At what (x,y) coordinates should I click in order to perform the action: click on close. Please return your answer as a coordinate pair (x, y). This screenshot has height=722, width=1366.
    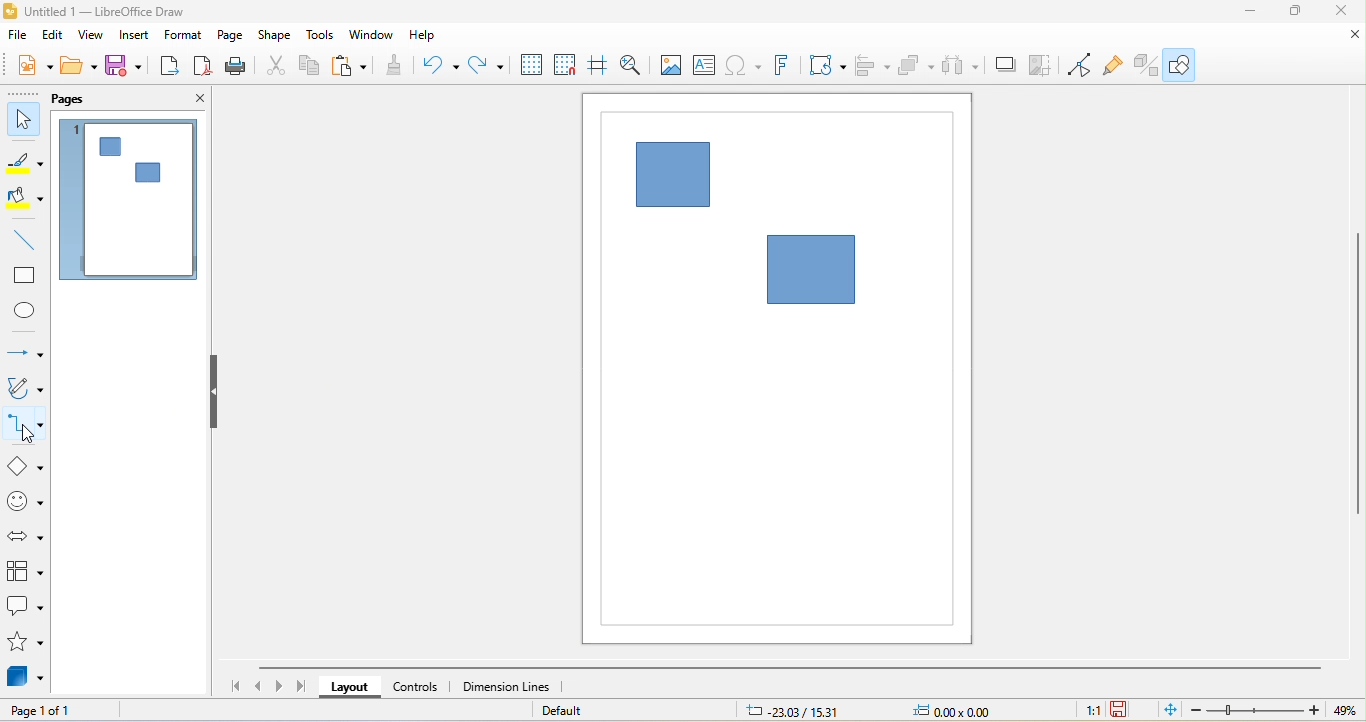
    Looking at the image, I should click on (1342, 10).